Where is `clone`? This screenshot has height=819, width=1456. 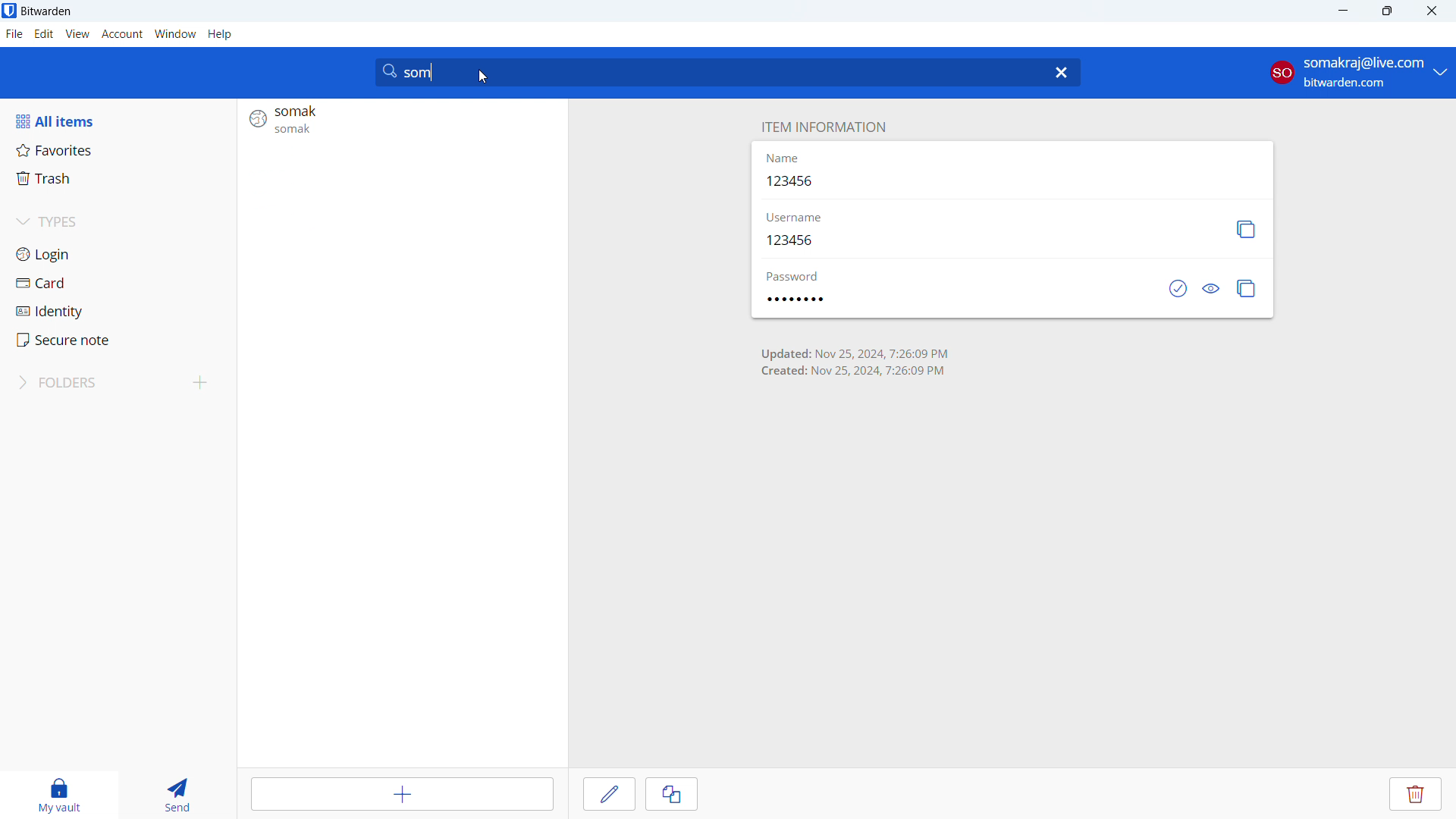
clone is located at coordinates (671, 794).